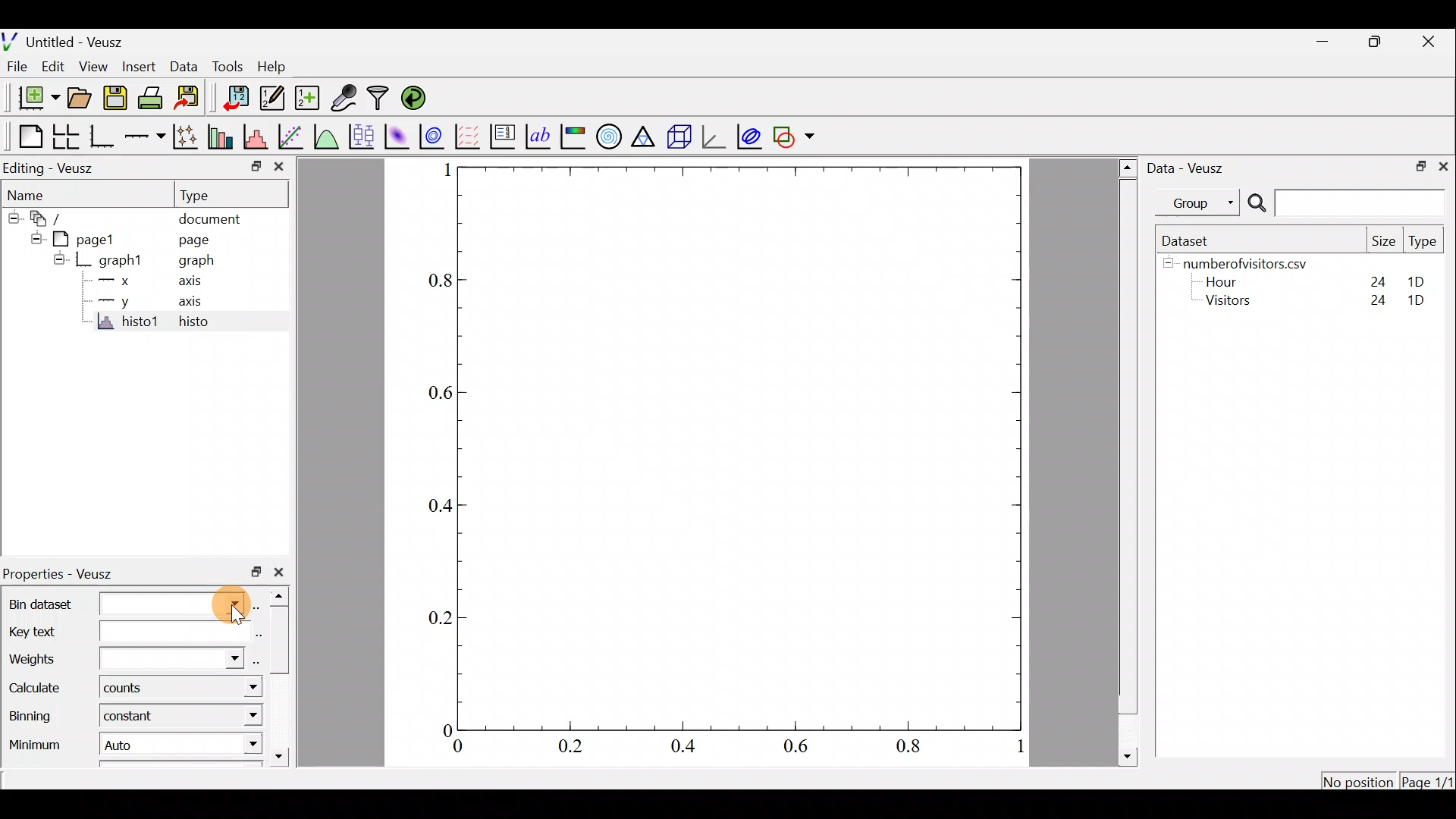 The image size is (1456, 819). I want to click on restore down, so click(1379, 44).